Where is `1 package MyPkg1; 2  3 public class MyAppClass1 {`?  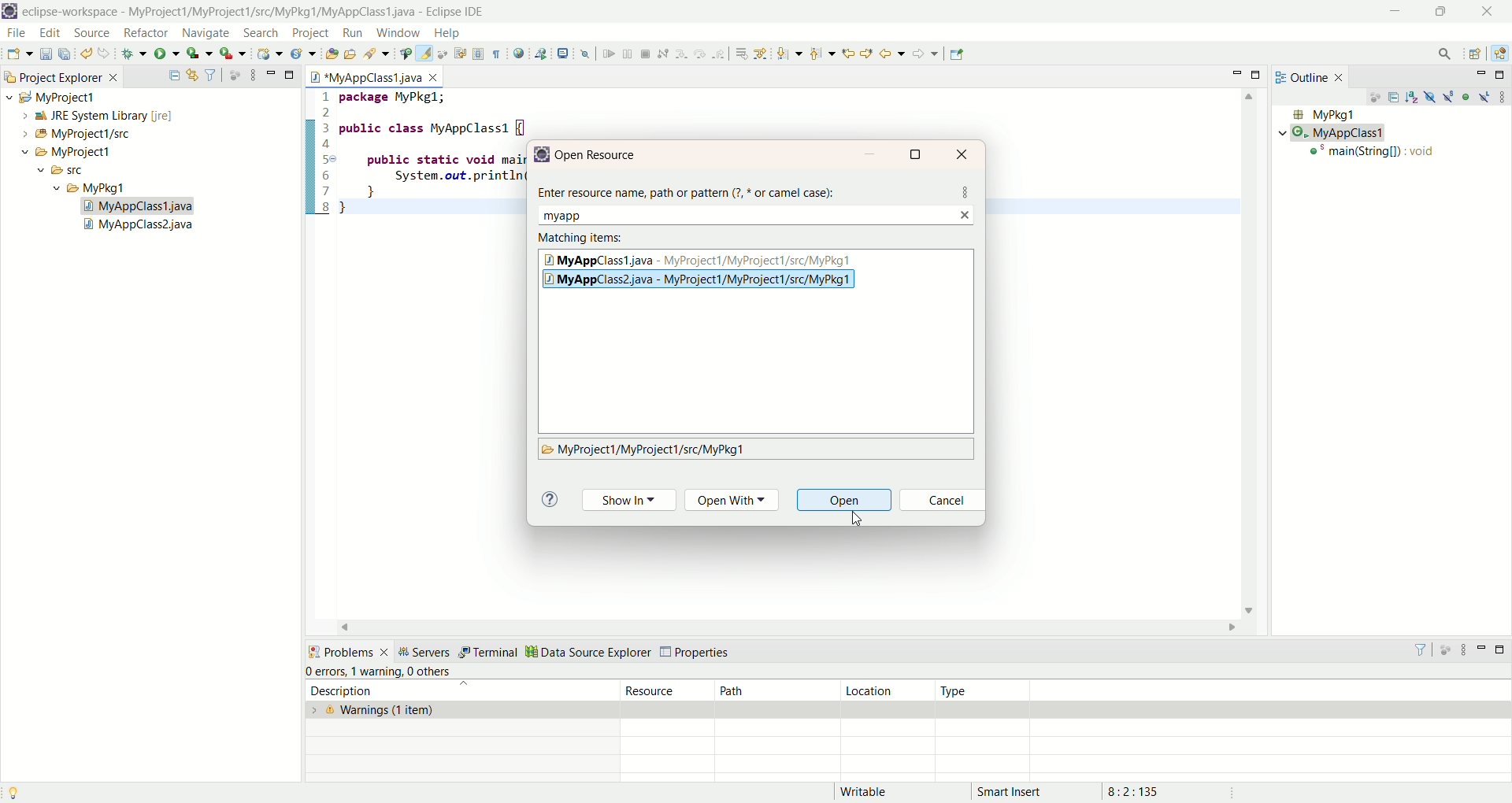 1 package MyPkg1; 2  3 public class MyAppClass1 { is located at coordinates (416, 112).